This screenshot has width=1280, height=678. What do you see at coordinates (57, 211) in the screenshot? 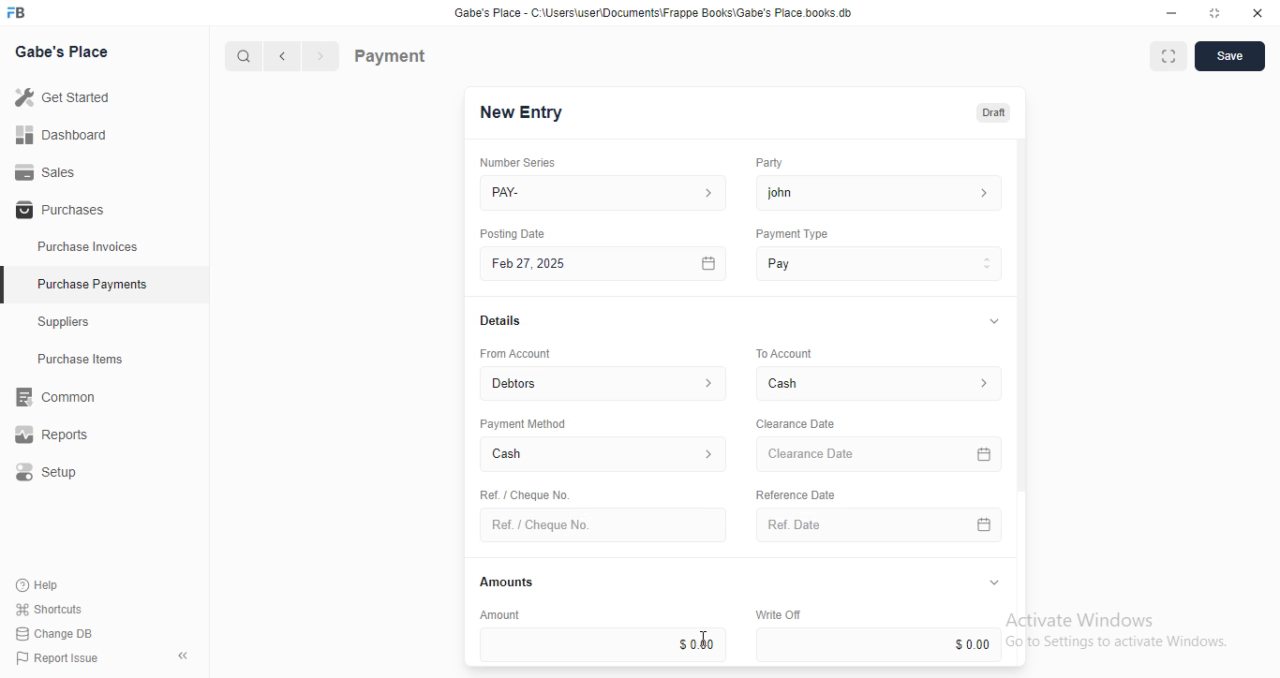
I see `Purchases` at bounding box center [57, 211].